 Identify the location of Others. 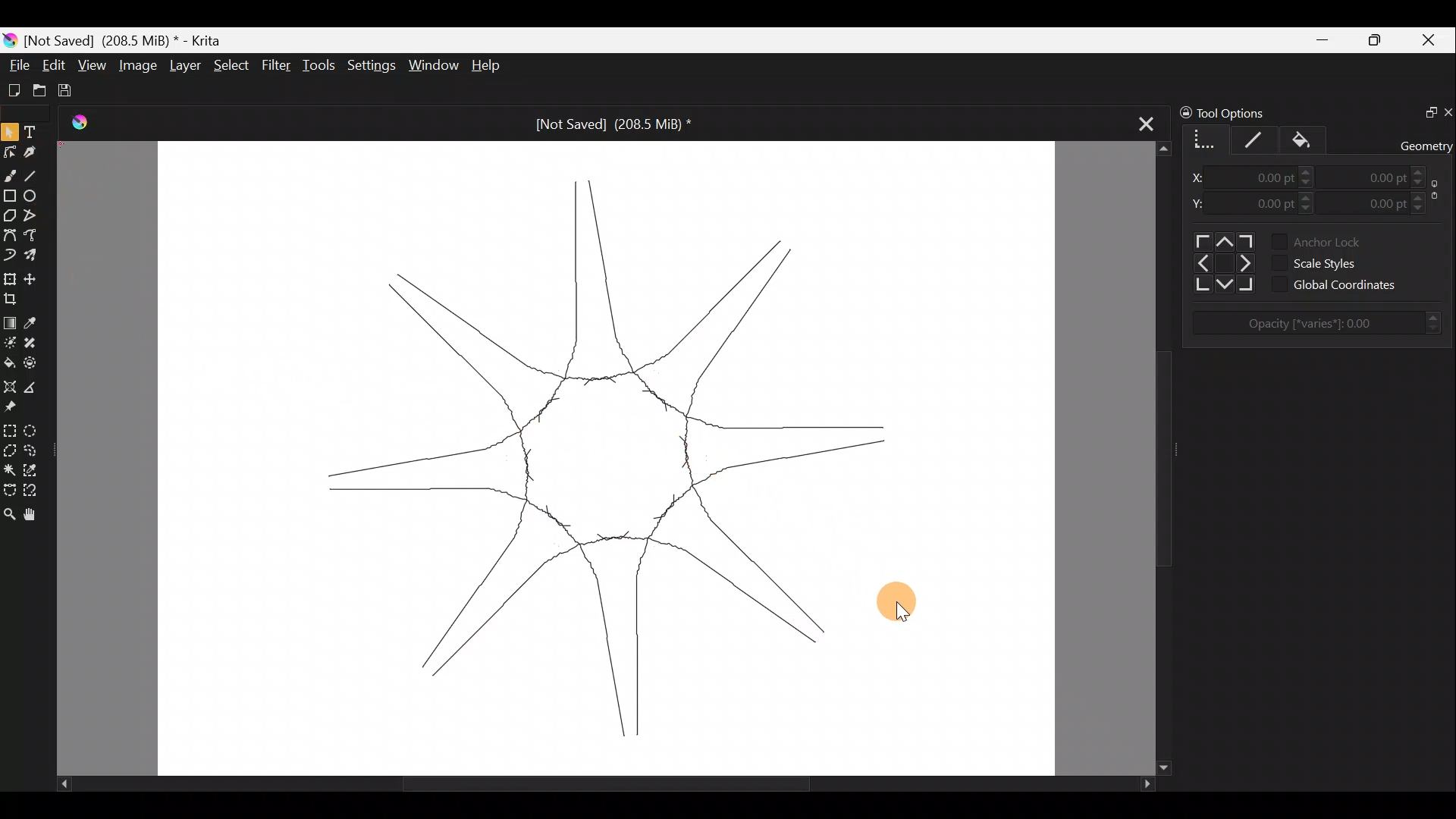
(1221, 262).